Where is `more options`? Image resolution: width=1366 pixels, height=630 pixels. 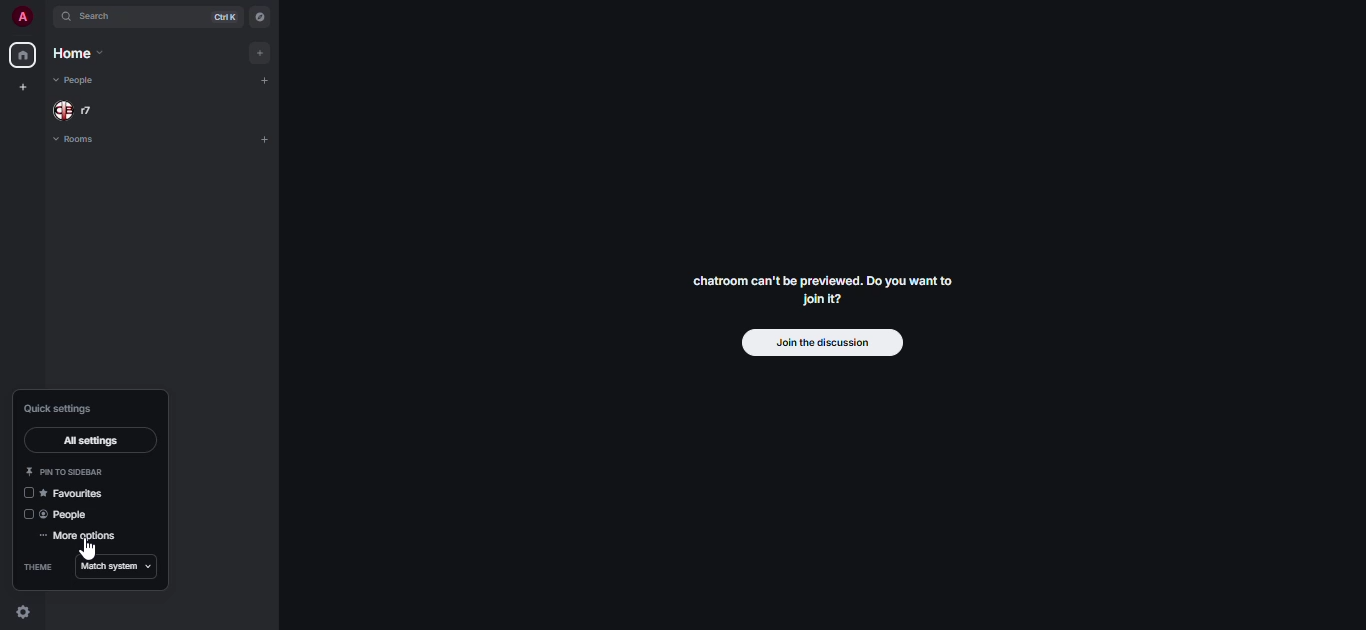
more options is located at coordinates (76, 536).